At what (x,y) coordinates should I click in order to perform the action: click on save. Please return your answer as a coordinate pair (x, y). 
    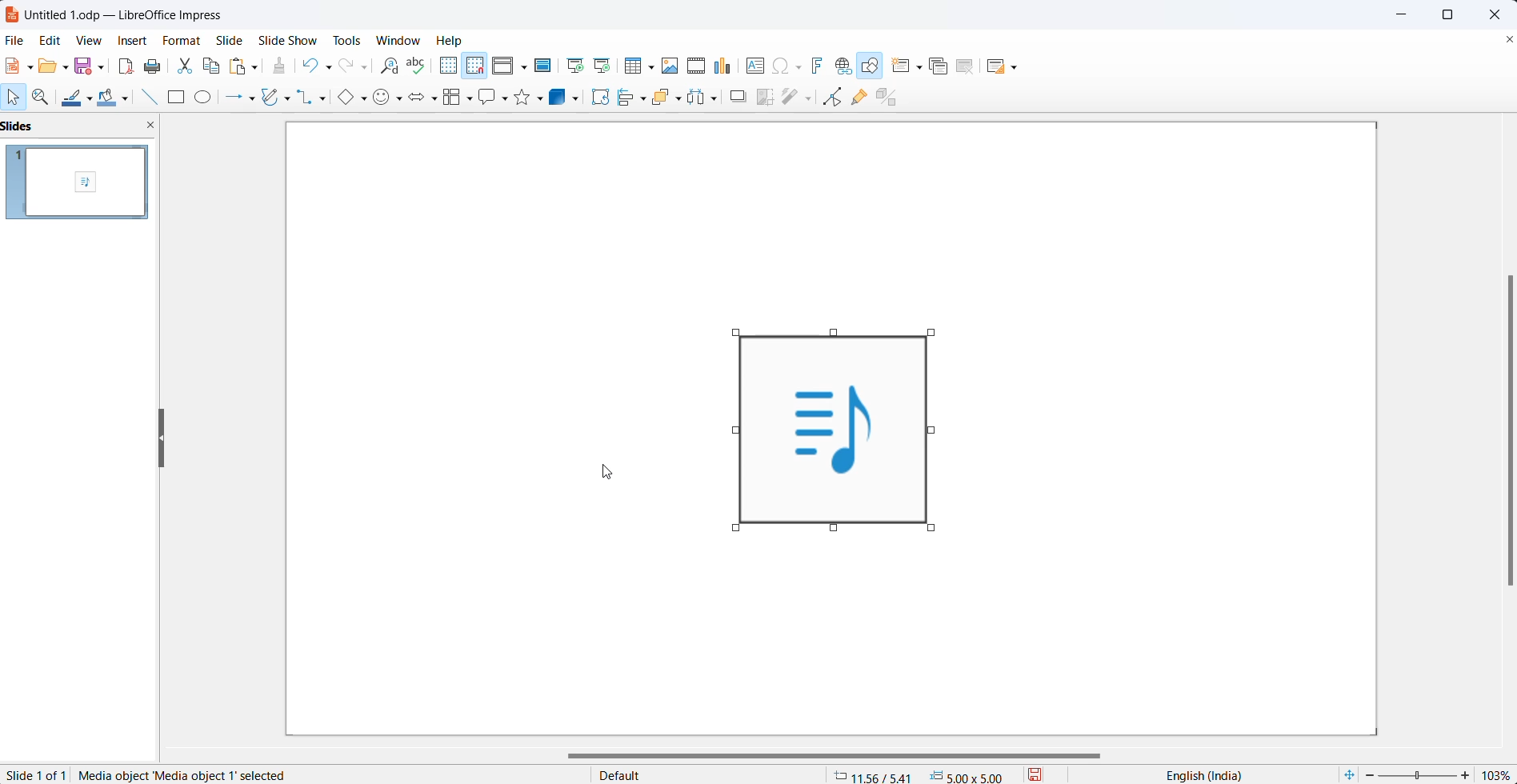
    Looking at the image, I should click on (1043, 774).